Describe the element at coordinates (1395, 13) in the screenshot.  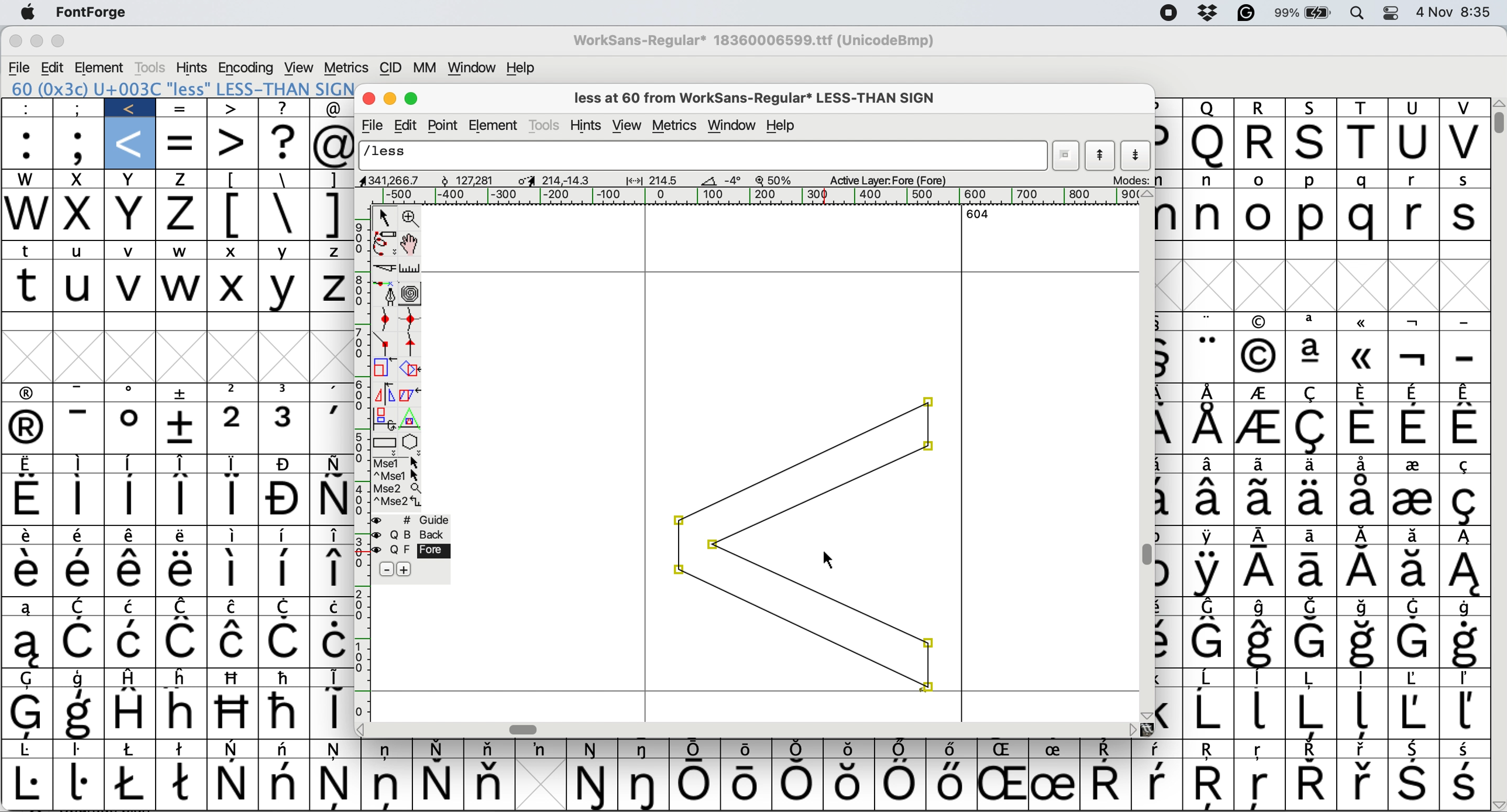
I see `control center` at that location.